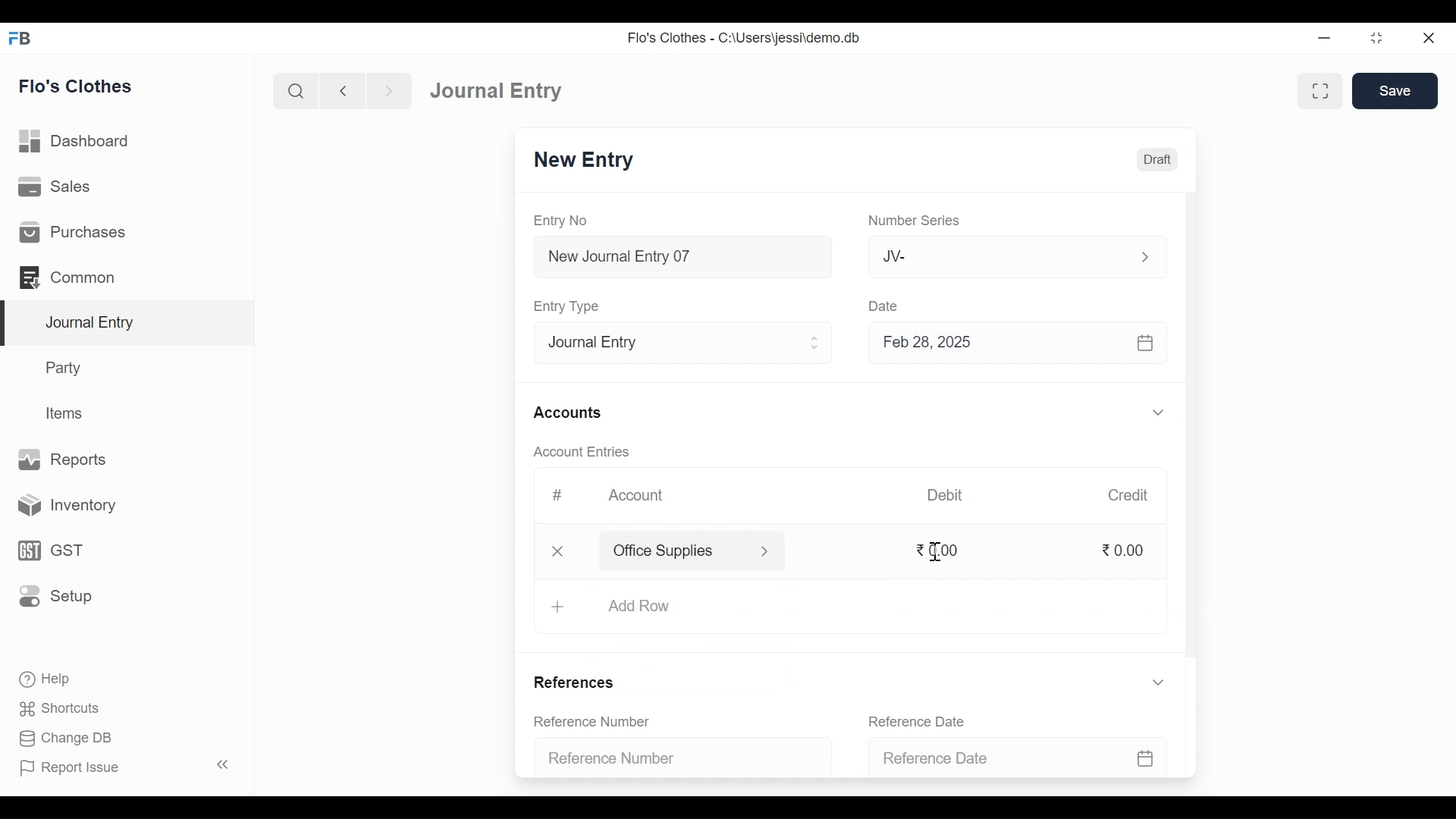 The height and width of the screenshot is (819, 1456). Describe the element at coordinates (502, 90) in the screenshot. I see `Journal Entry` at that location.